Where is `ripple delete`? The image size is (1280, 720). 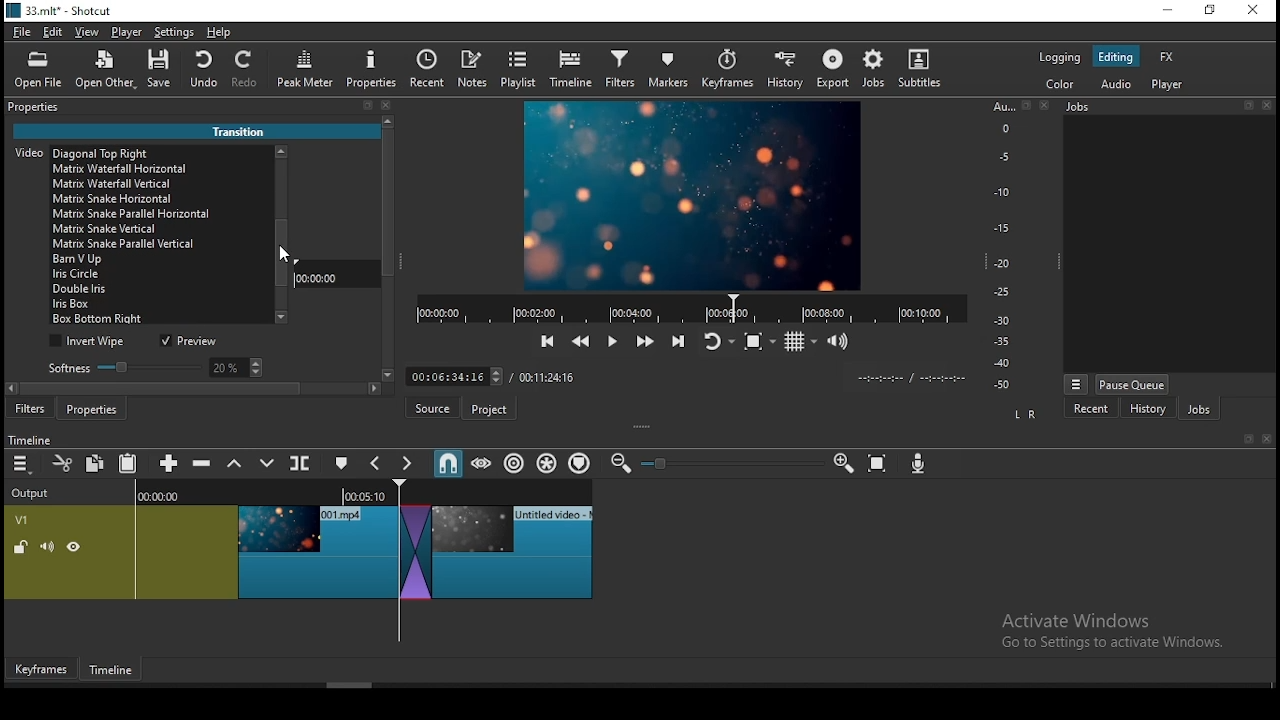 ripple delete is located at coordinates (204, 463).